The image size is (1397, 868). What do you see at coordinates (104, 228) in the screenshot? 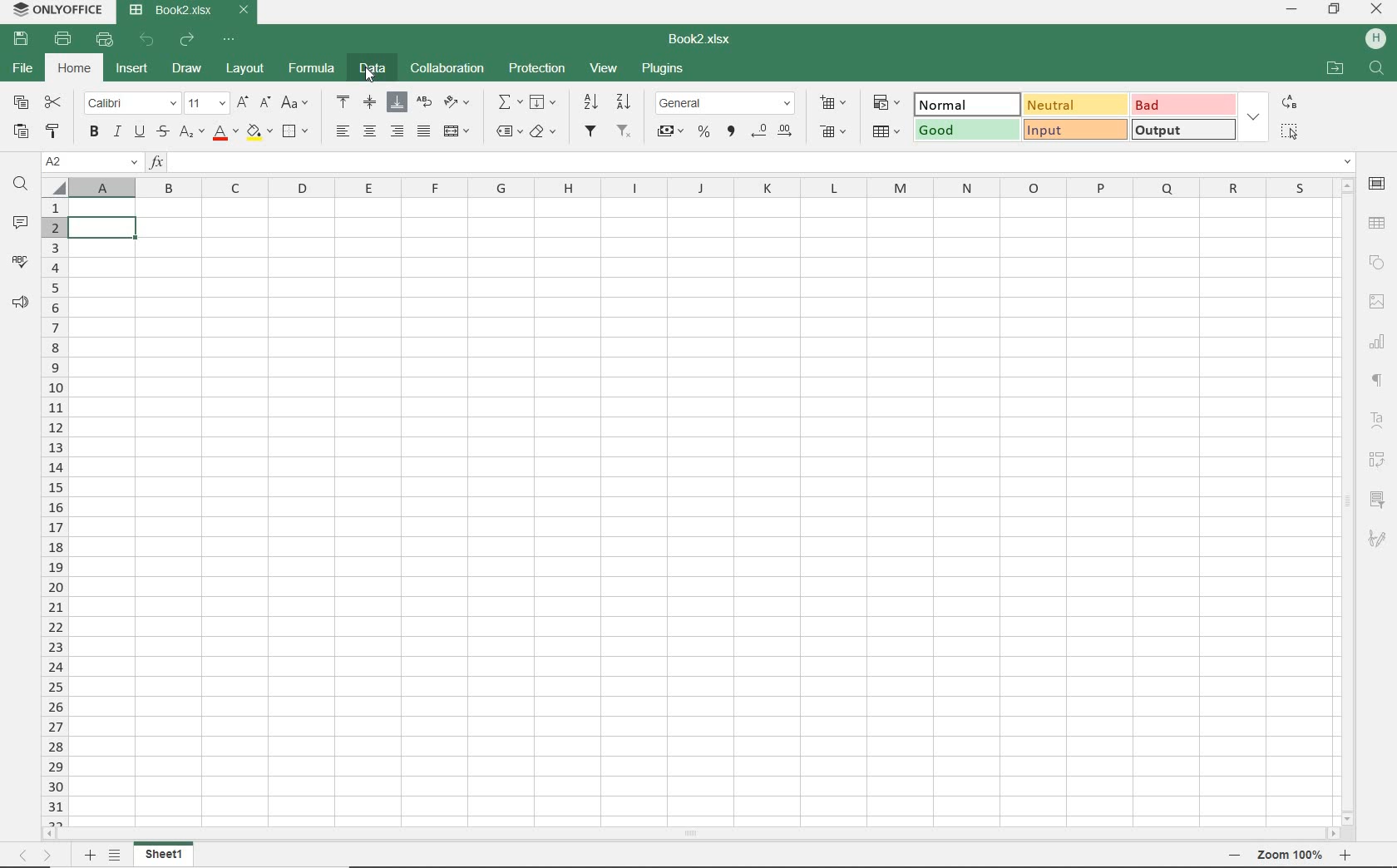
I see `SELECTED CELL` at bounding box center [104, 228].